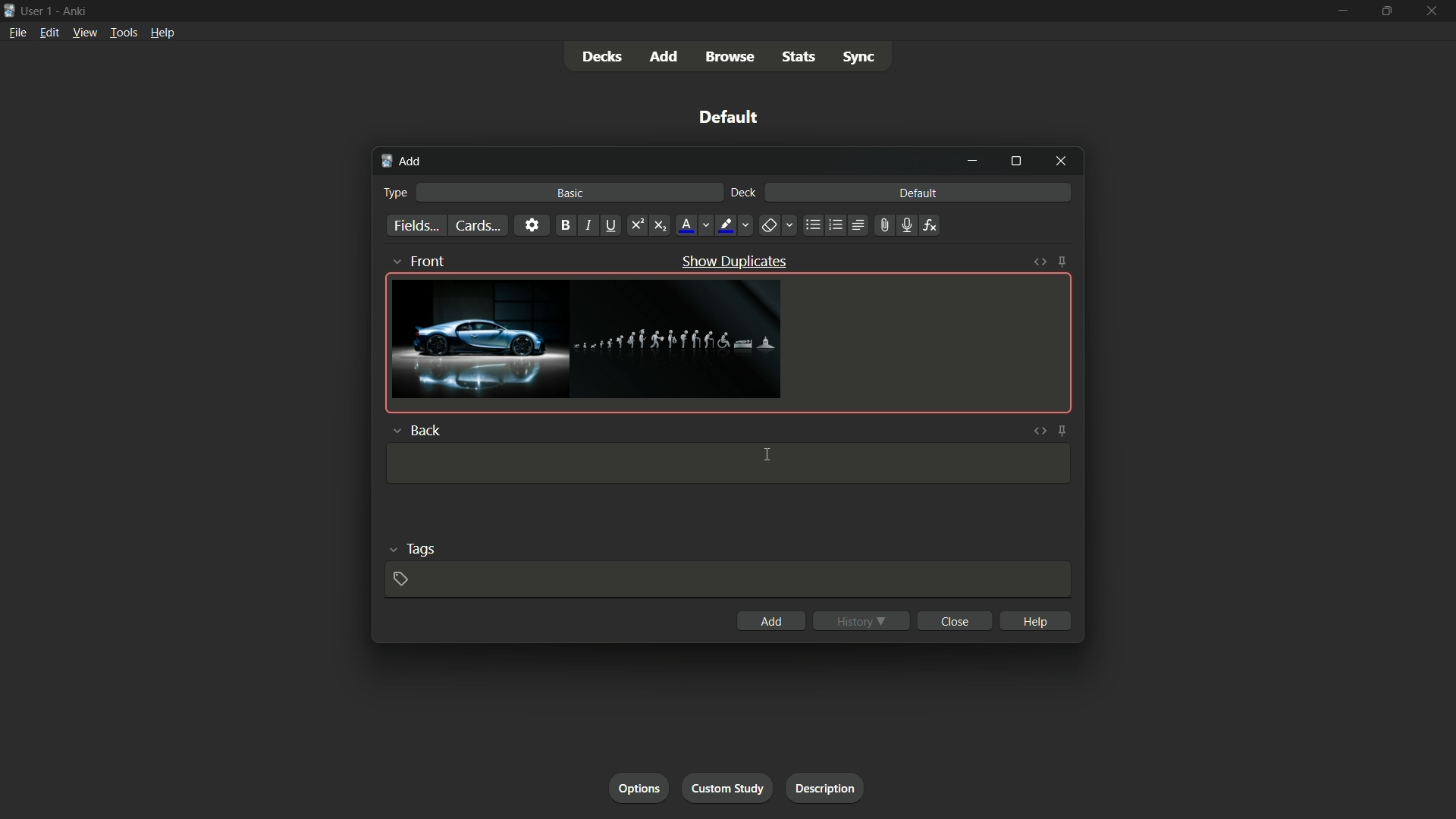 The image size is (1456, 819). I want to click on browse, so click(729, 58).